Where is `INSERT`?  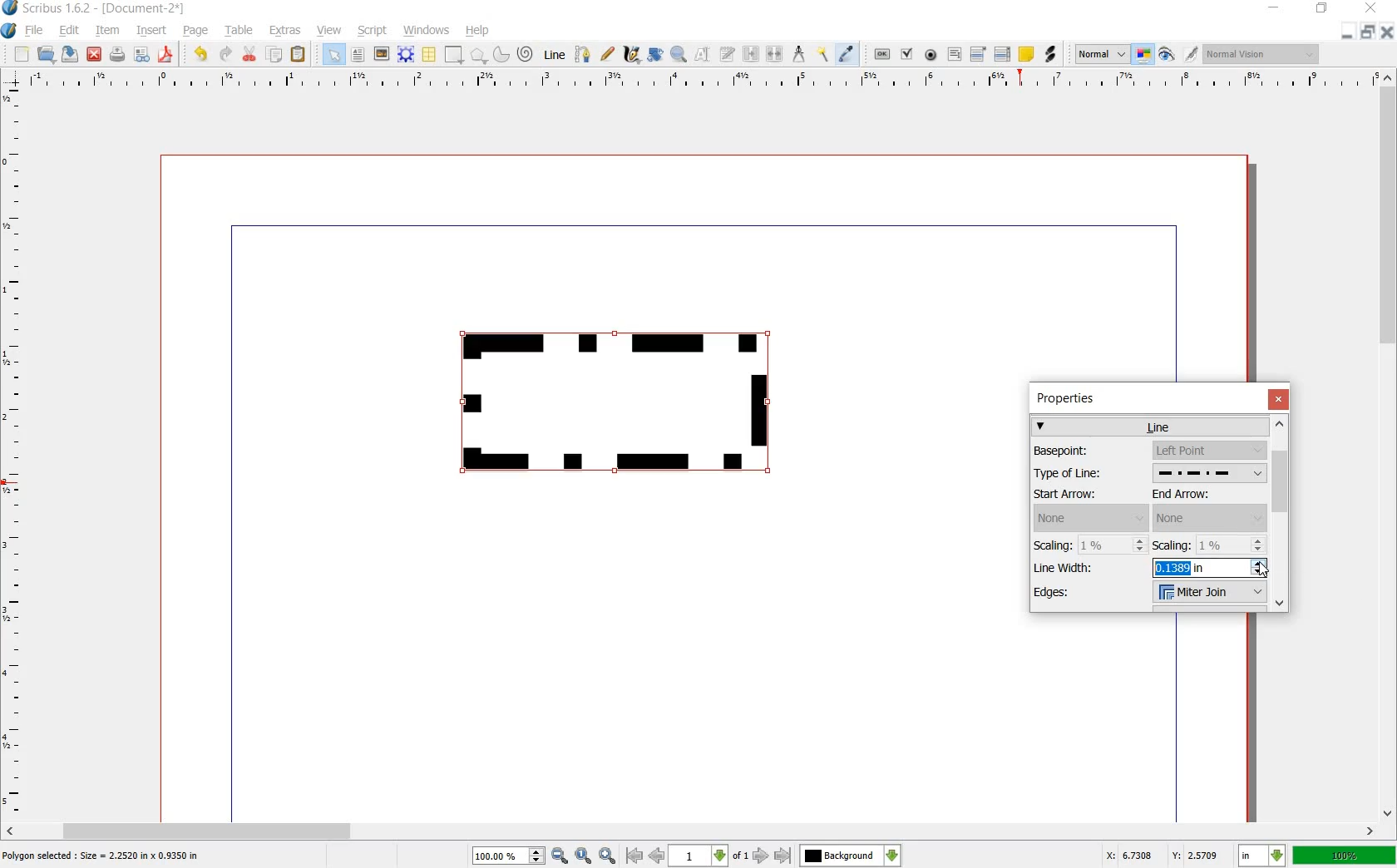 INSERT is located at coordinates (151, 31).